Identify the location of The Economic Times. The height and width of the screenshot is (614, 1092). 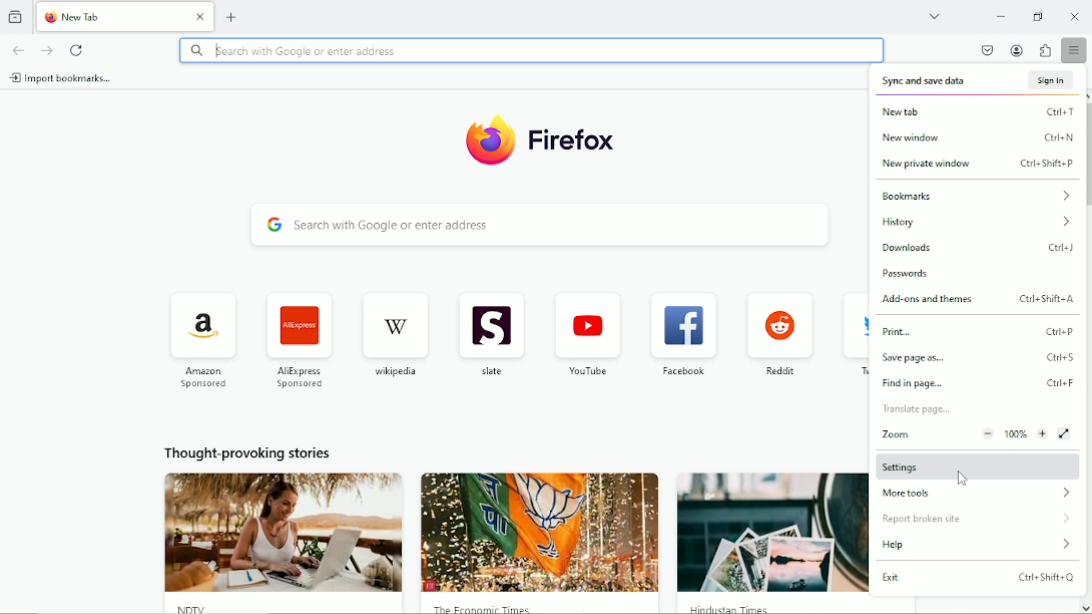
(541, 607).